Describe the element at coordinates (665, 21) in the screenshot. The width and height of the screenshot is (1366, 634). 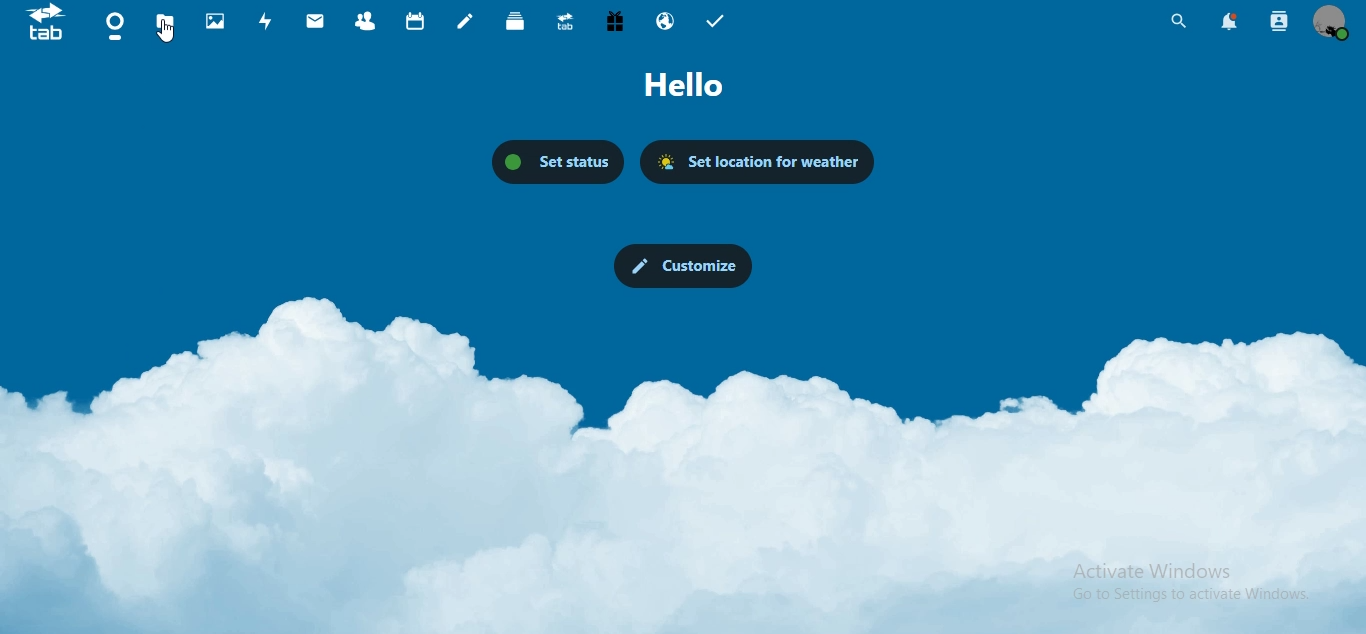
I see `email hosting` at that location.